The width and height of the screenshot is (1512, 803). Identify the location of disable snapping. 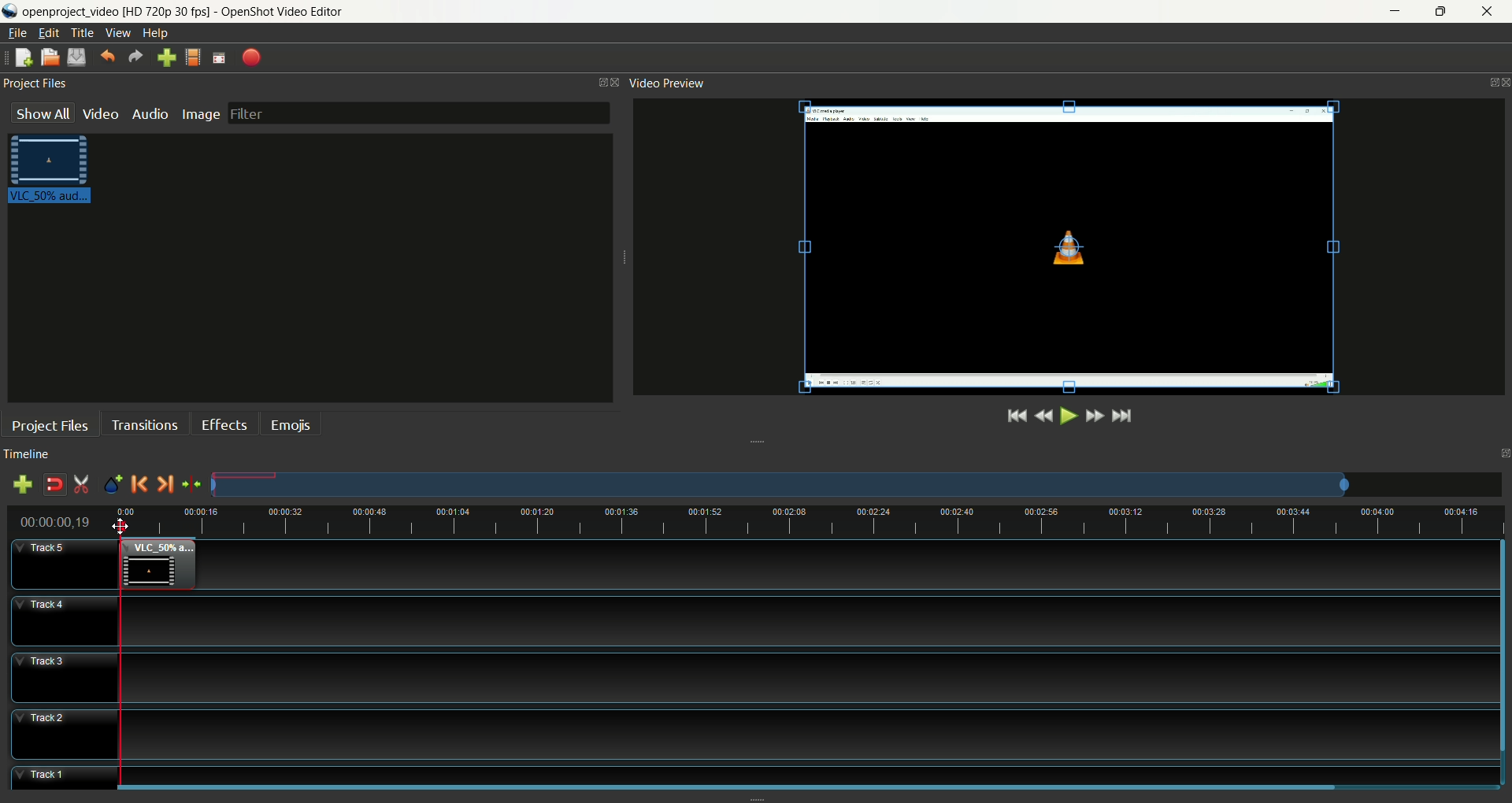
(54, 485).